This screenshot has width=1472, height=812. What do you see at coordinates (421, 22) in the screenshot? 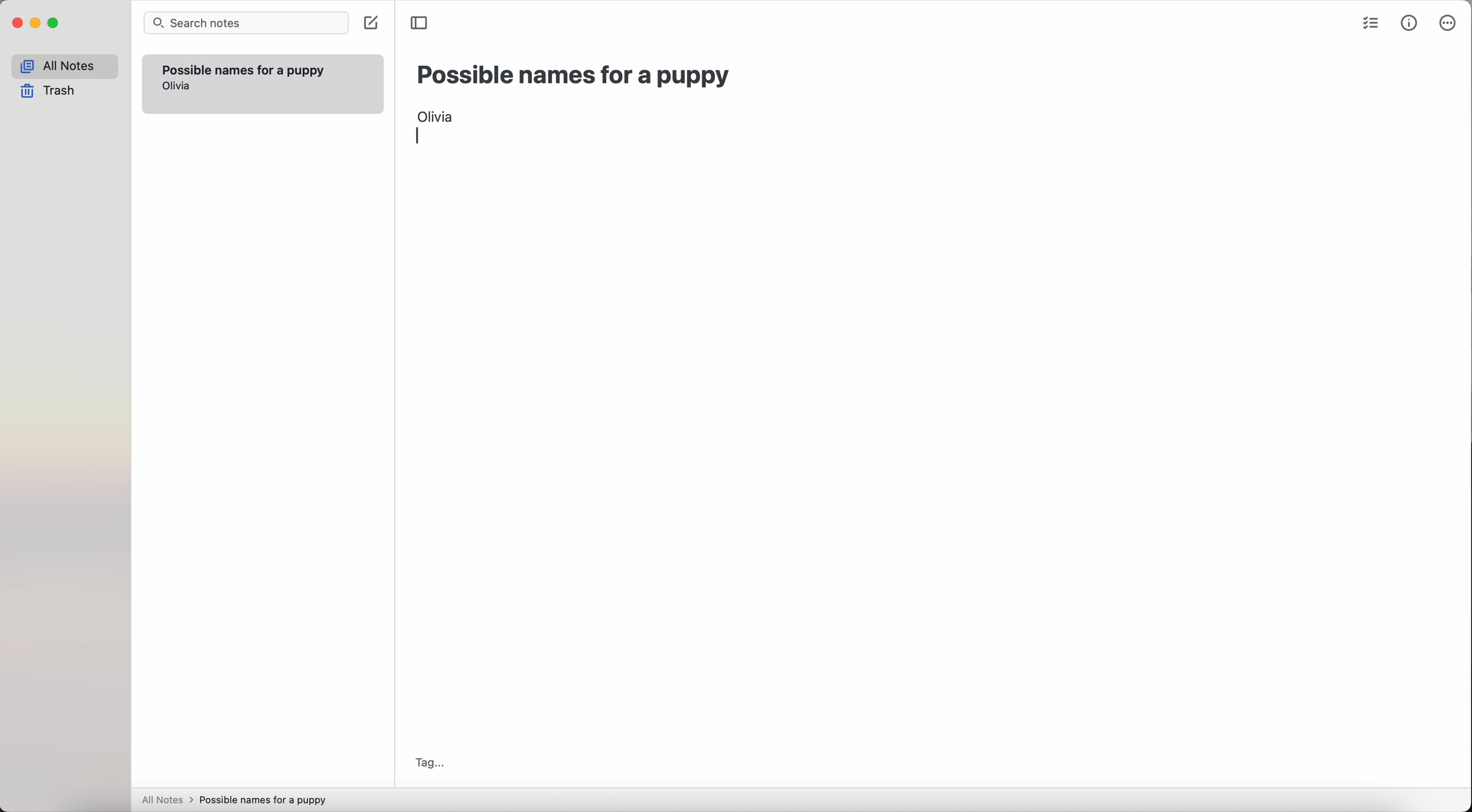
I see `toggle sidebar` at bounding box center [421, 22].